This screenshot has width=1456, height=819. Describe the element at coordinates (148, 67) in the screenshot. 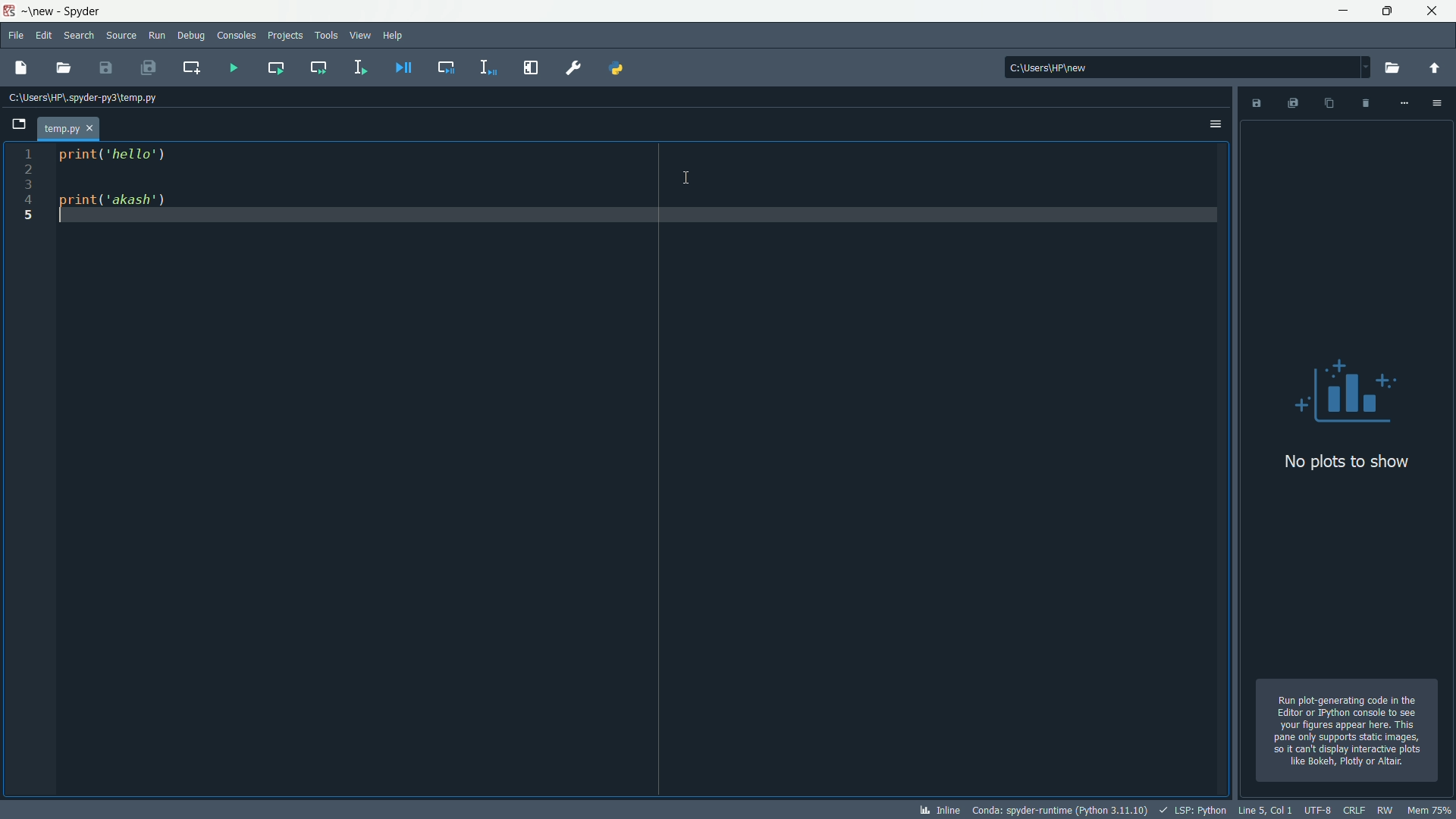

I see `save all files` at that location.